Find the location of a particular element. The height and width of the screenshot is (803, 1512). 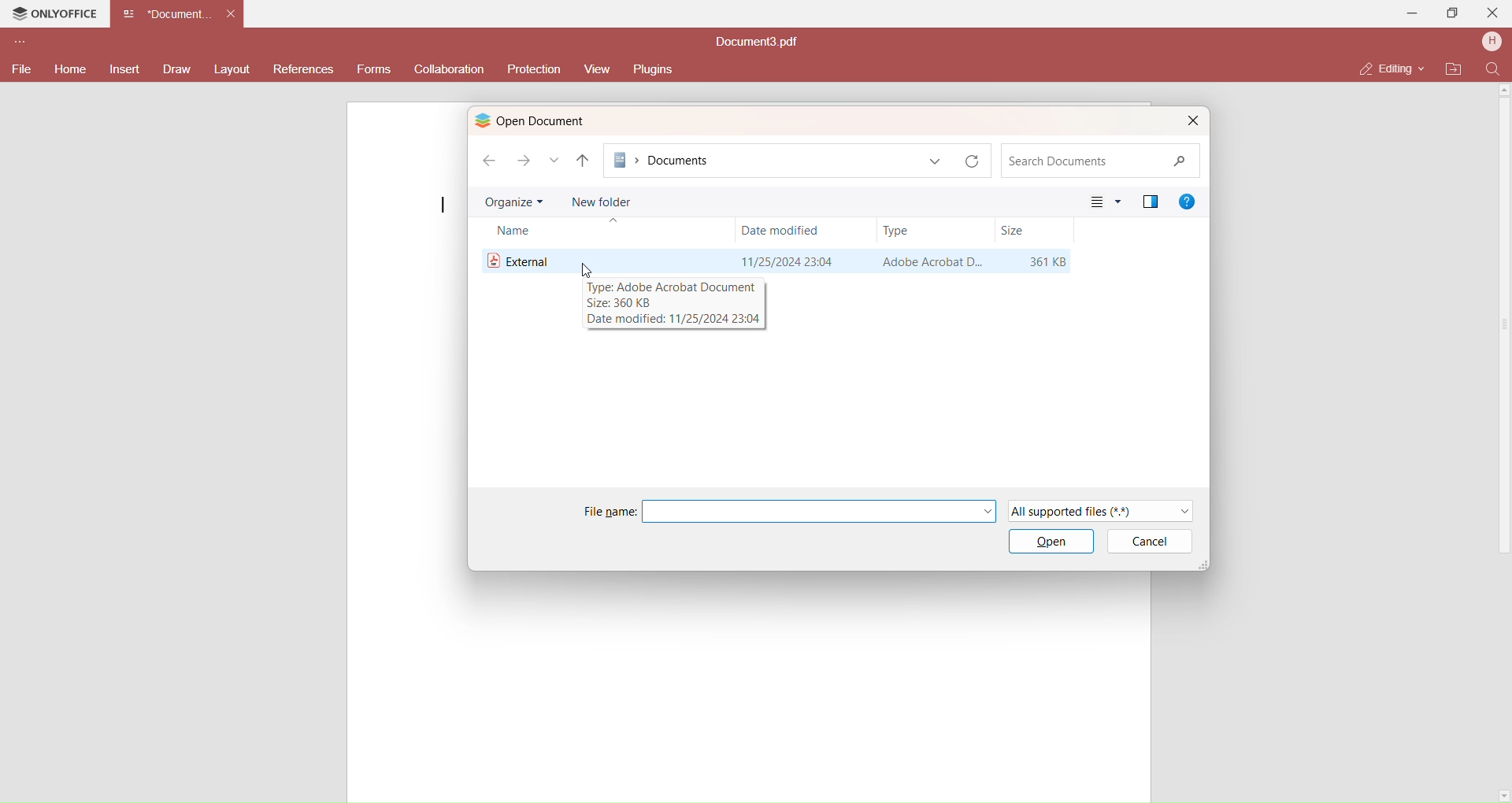

File Name is located at coordinates (523, 259).